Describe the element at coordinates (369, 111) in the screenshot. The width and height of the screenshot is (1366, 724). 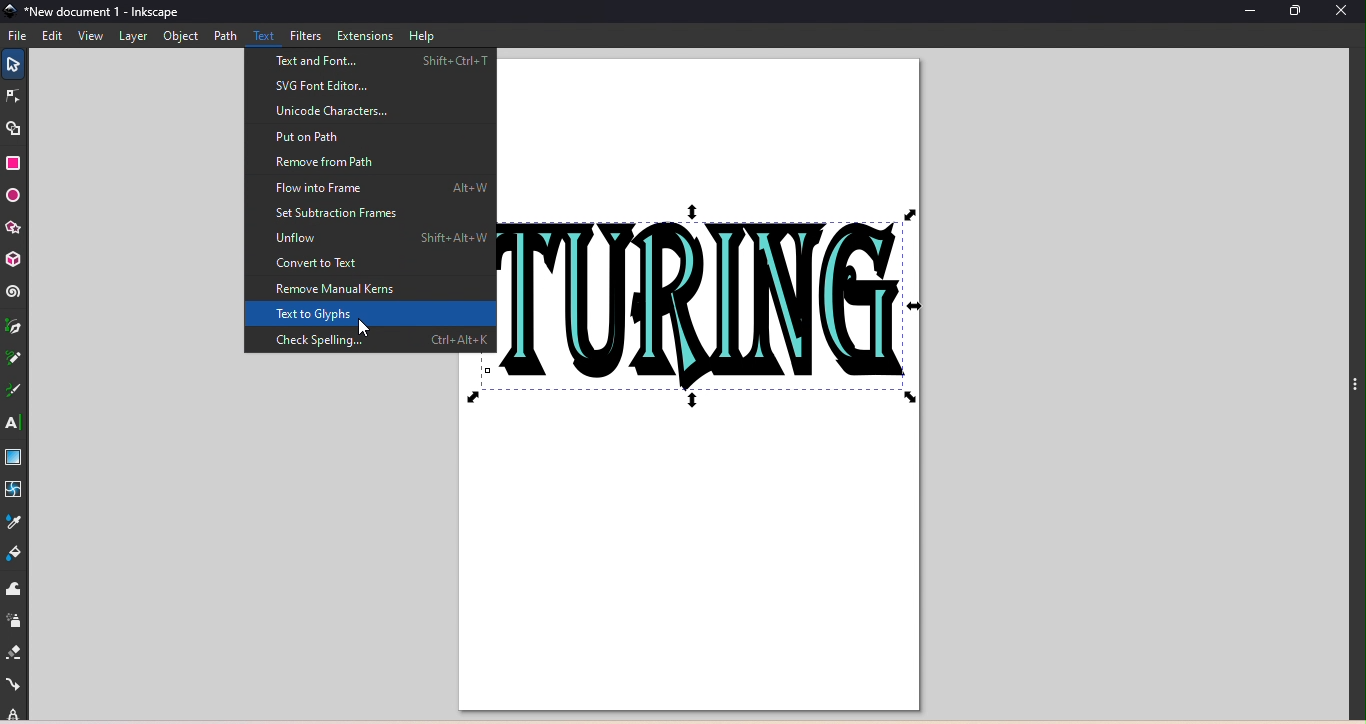
I see `Unicode characters` at that location.